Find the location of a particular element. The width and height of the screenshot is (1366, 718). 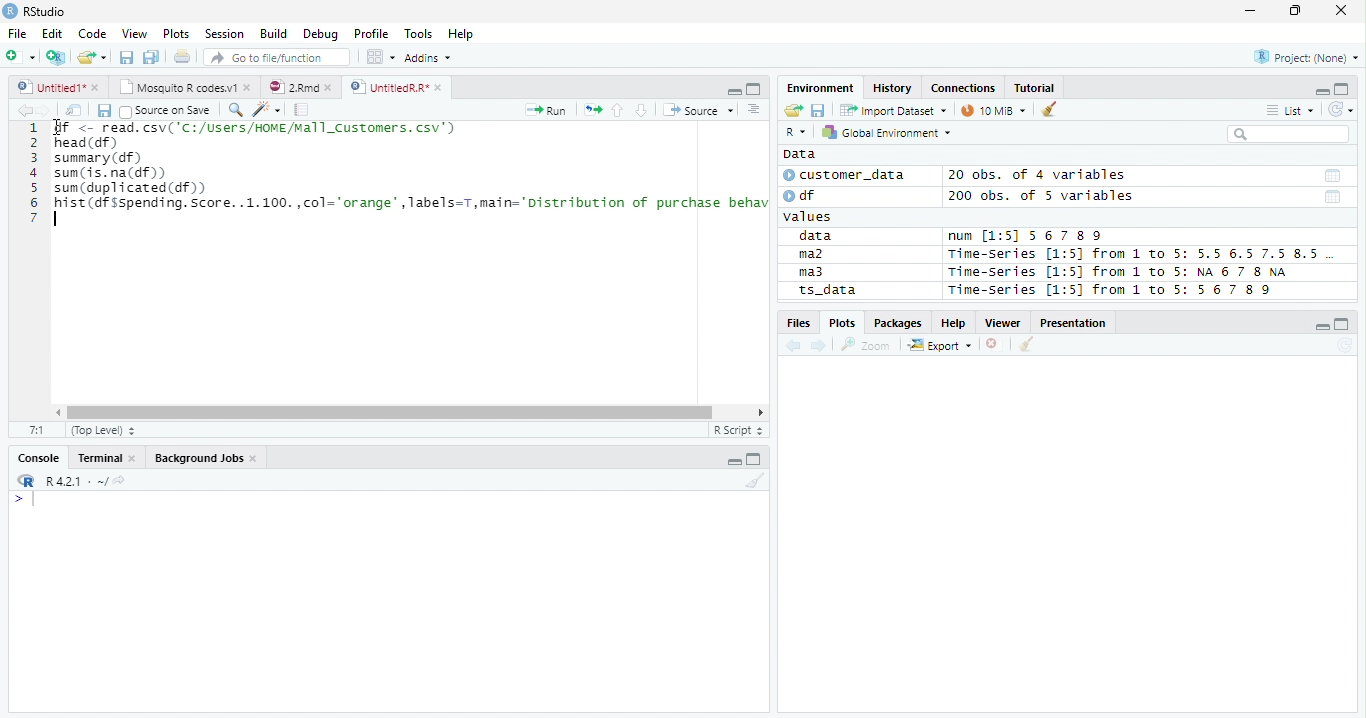

Next is located at coordinates (820, 347).